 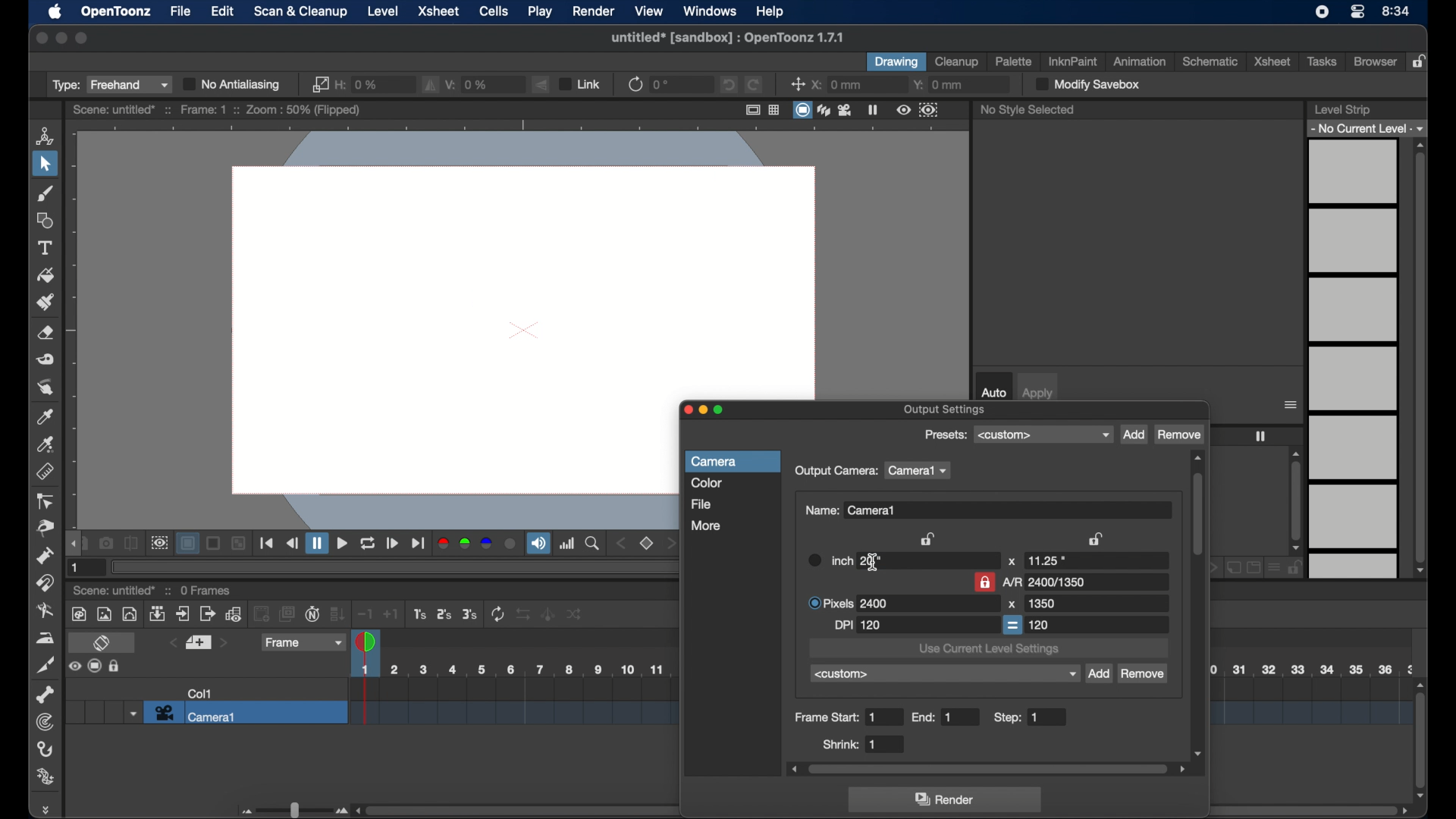 I want to click on type tool, so click(x=46, y=248).